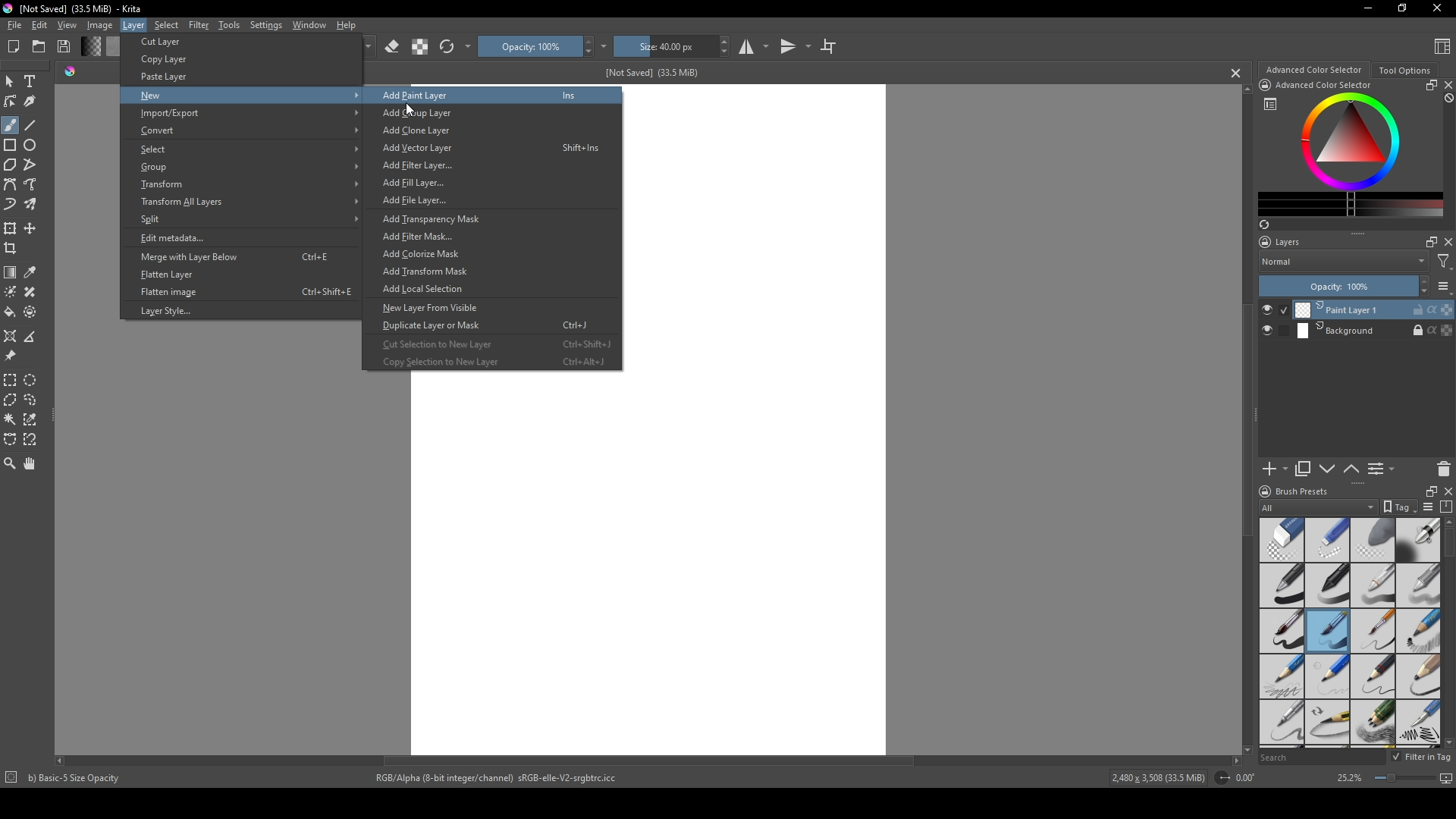  What do you see at coordinates (491, 96) in the screenshot?
I see `Add Paint Layer ` at bounding box center [491, 96].